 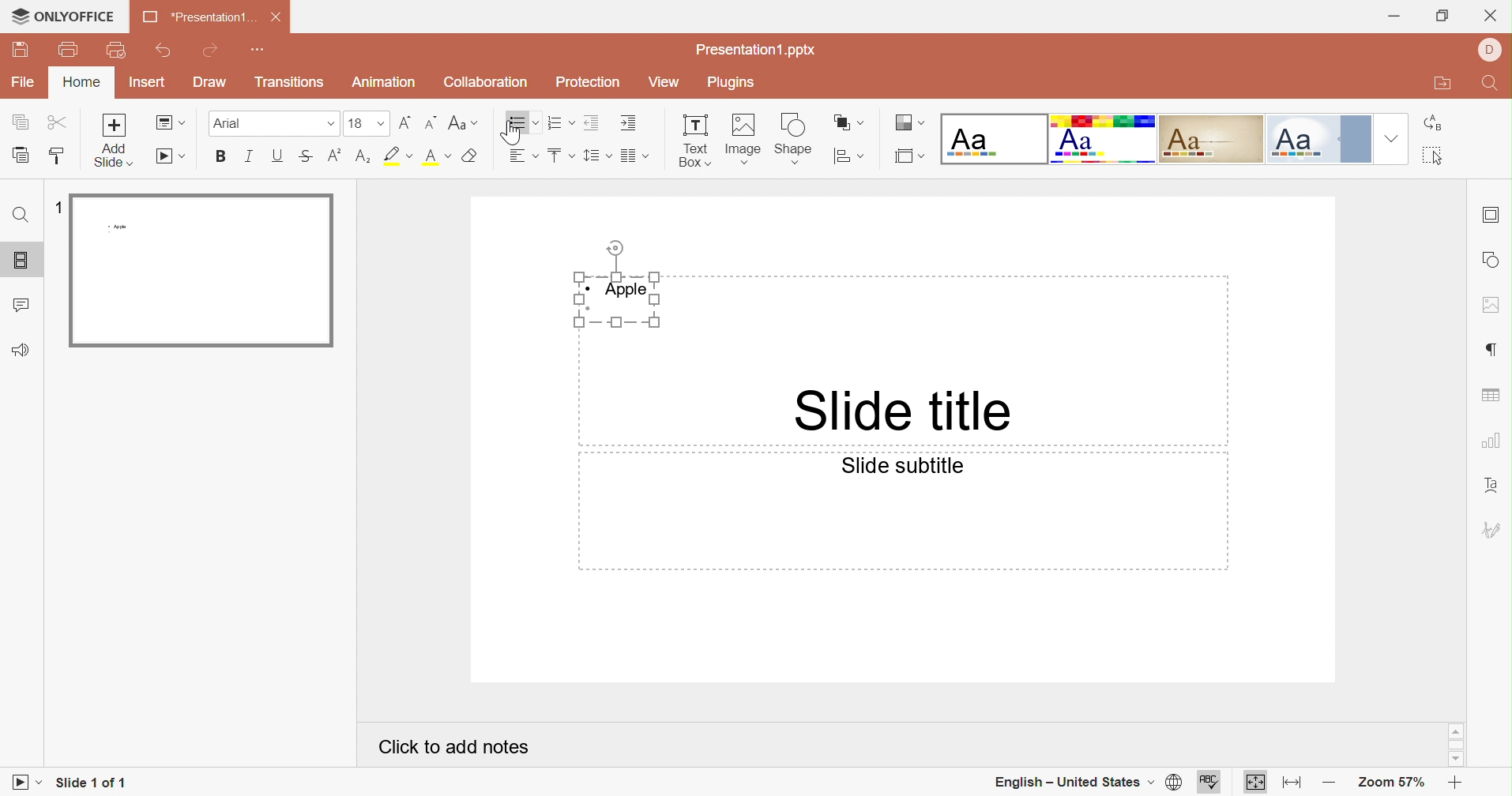 What do you see at coordinates (115, 140) in the screenshot?
I see `Add slide` at bounding box center [115, 140].